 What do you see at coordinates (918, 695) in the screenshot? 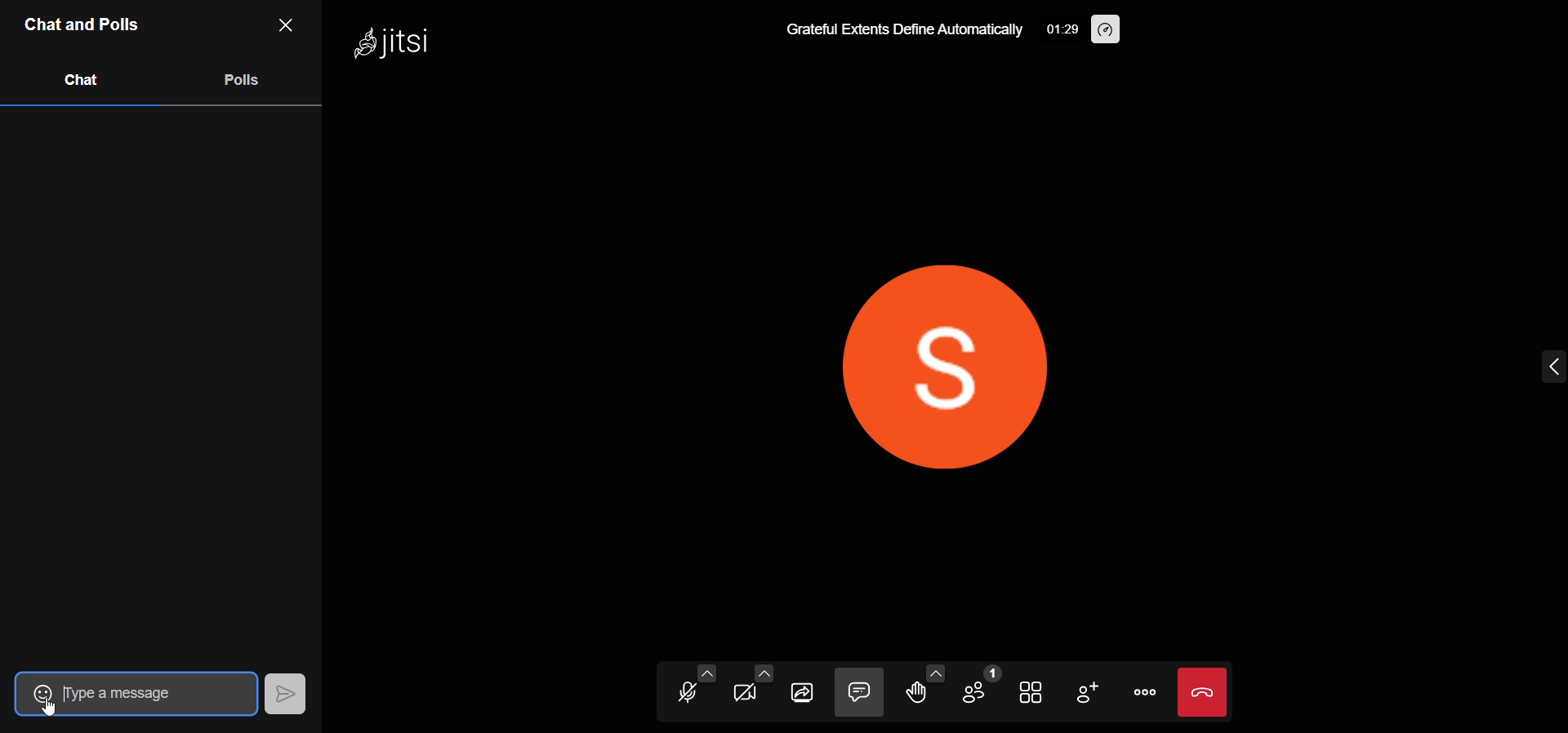
I see `raise hand` at bounding box center [918, 695].